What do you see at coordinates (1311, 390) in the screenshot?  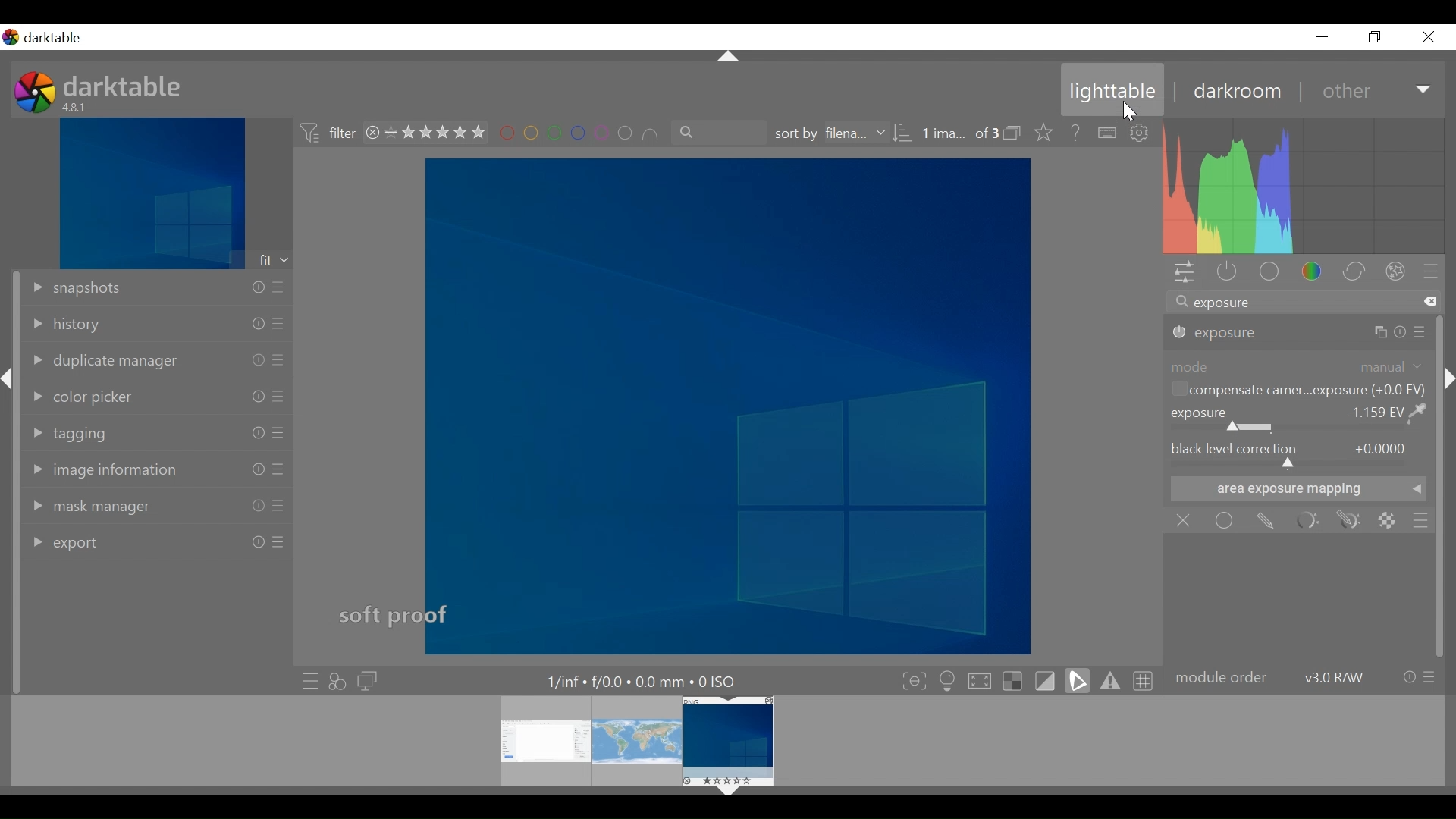 I see `automatically remove ` at bounding box center [1311, 390].